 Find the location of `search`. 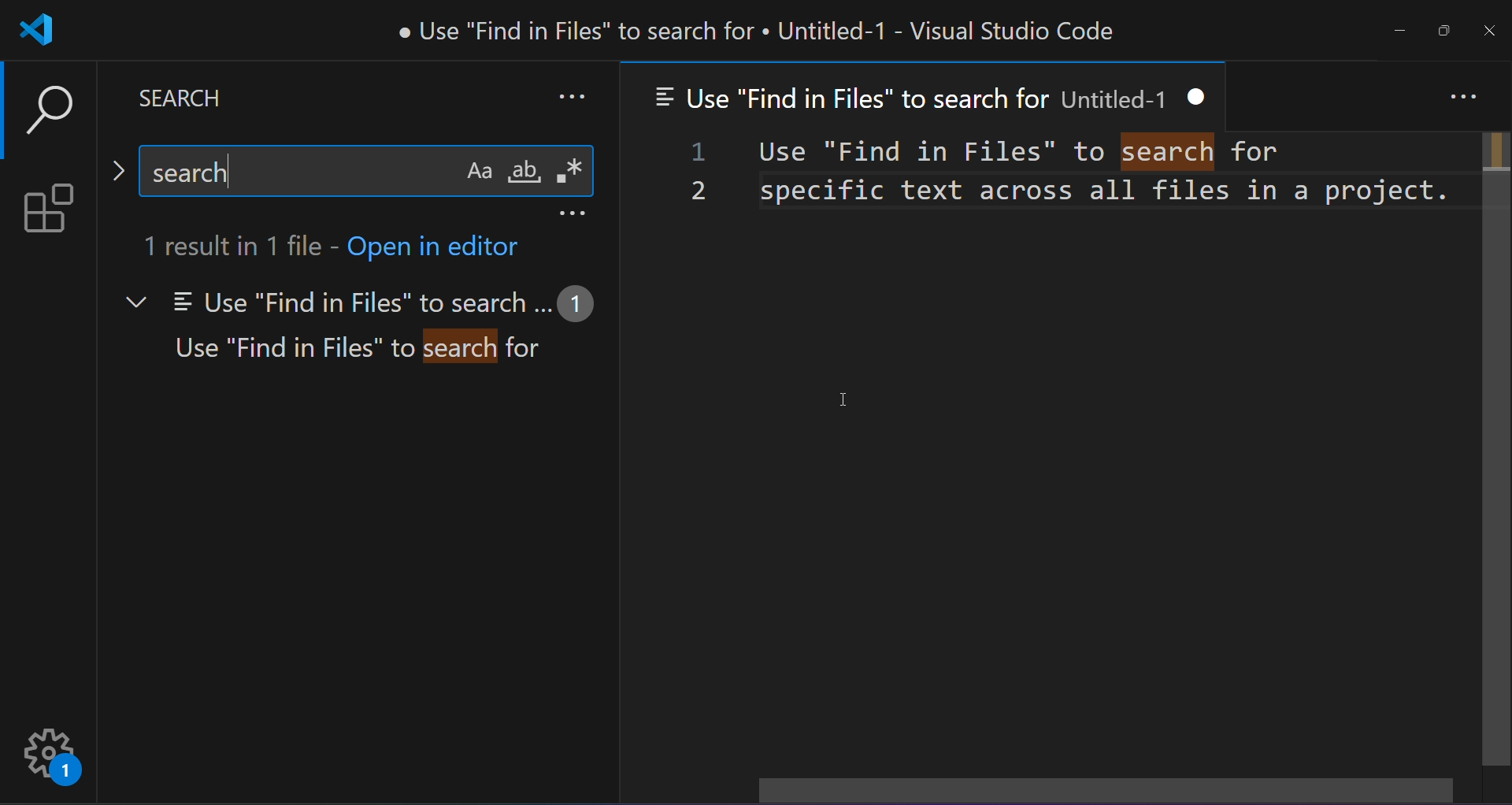

search is located at coordinates (179, 100).